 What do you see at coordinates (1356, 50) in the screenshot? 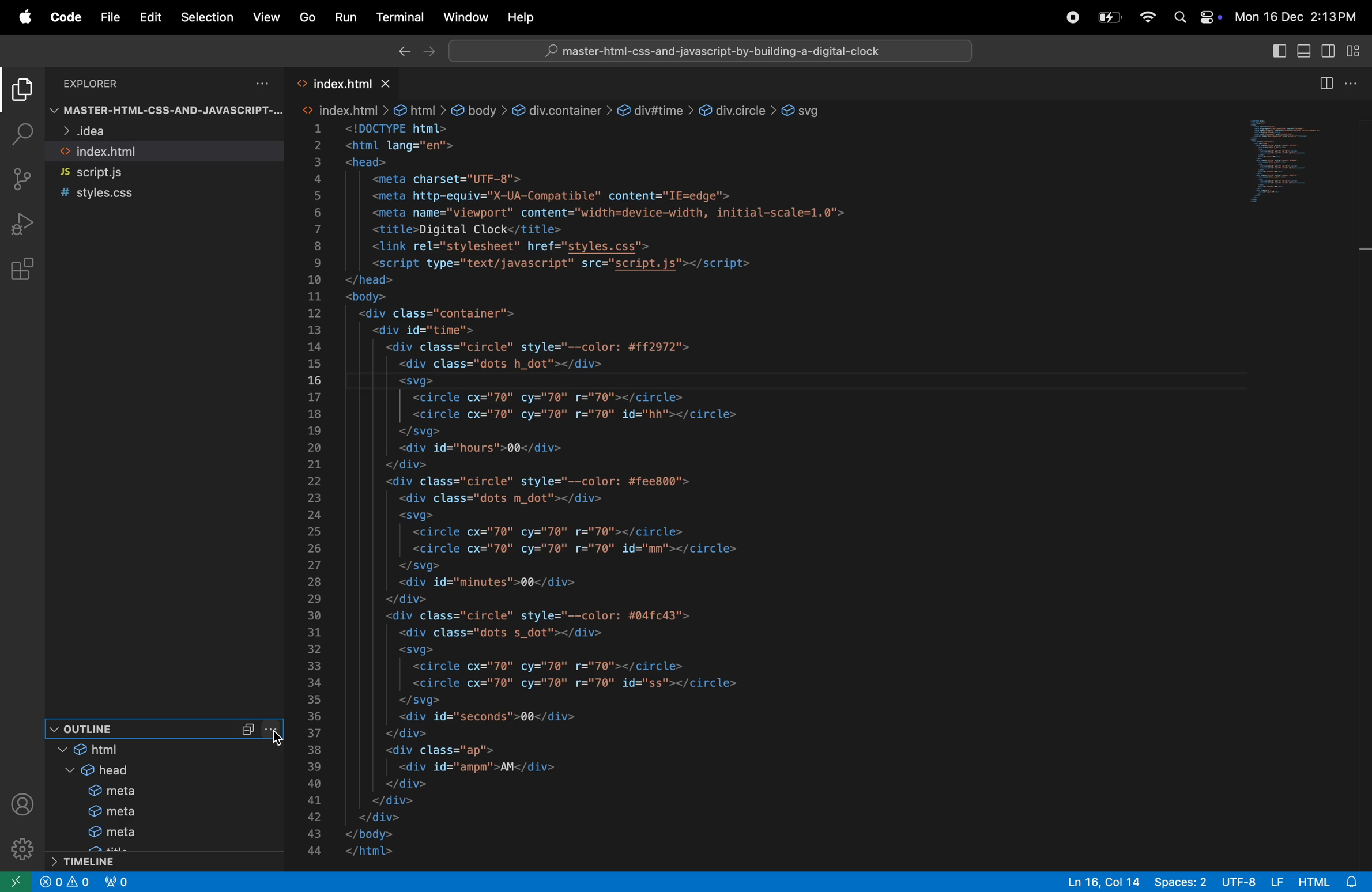
I see `customize layout` at bounding box center [1356, 50].